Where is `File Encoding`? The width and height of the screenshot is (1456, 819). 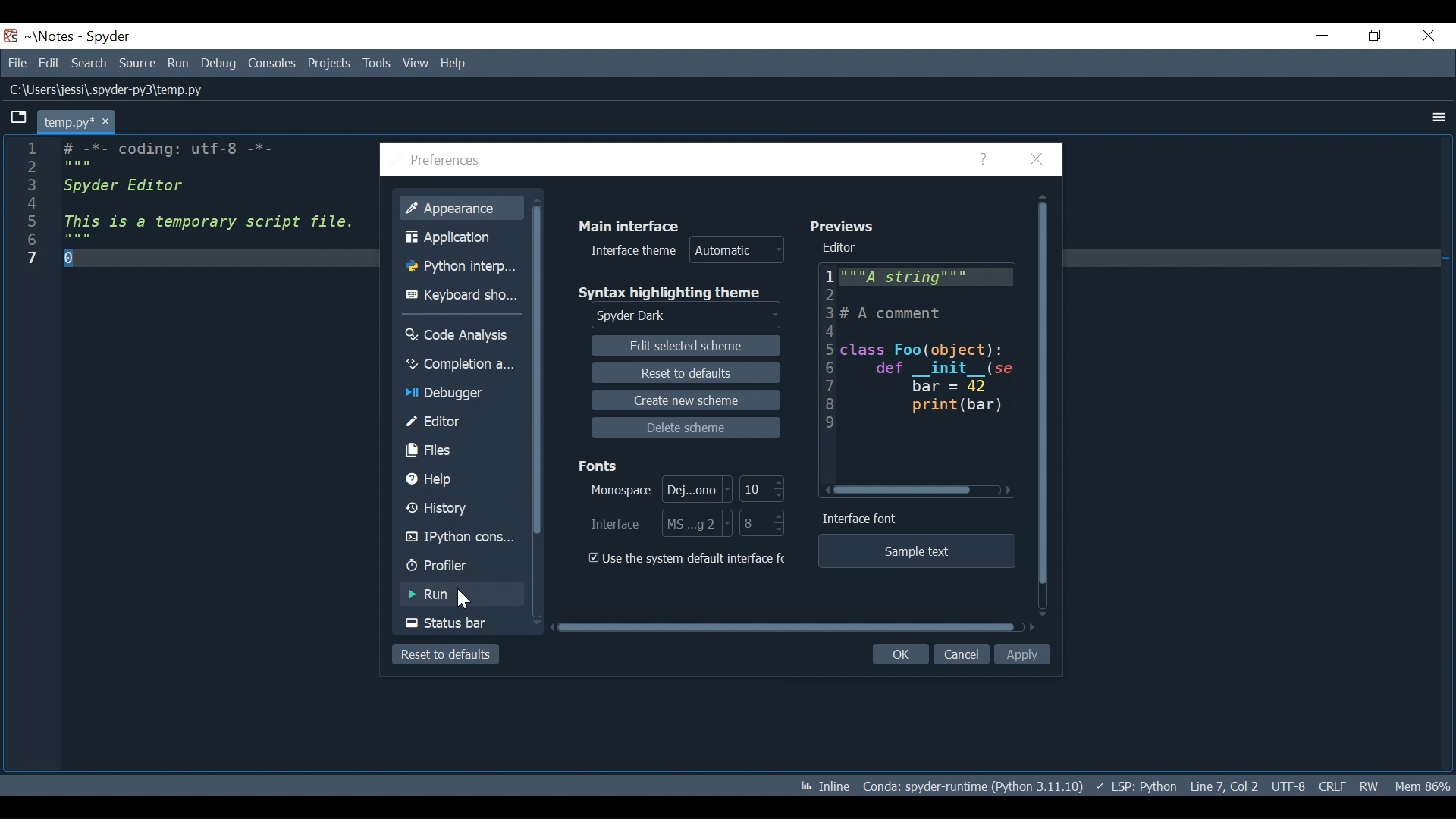 File Encoding is located at coordinates (1288, 785).